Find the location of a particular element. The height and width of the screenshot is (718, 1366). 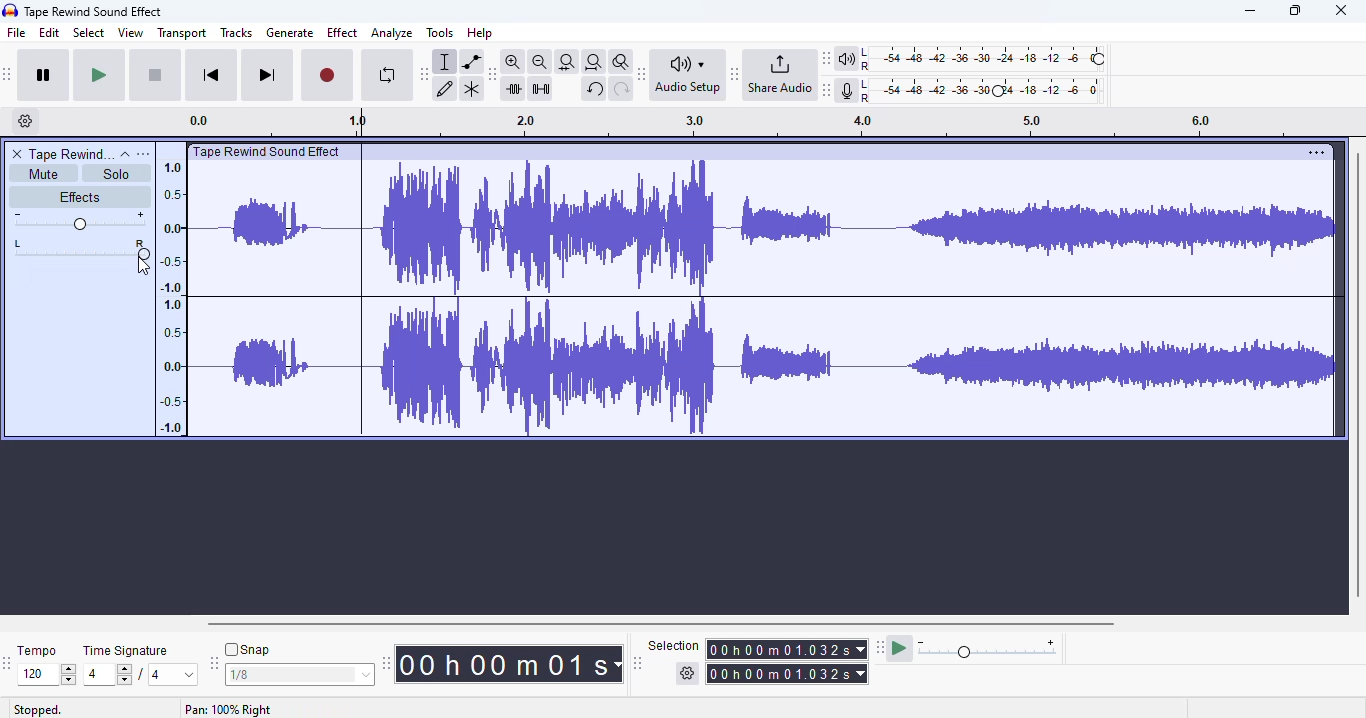

tracks is located at coordinates (236, 32).